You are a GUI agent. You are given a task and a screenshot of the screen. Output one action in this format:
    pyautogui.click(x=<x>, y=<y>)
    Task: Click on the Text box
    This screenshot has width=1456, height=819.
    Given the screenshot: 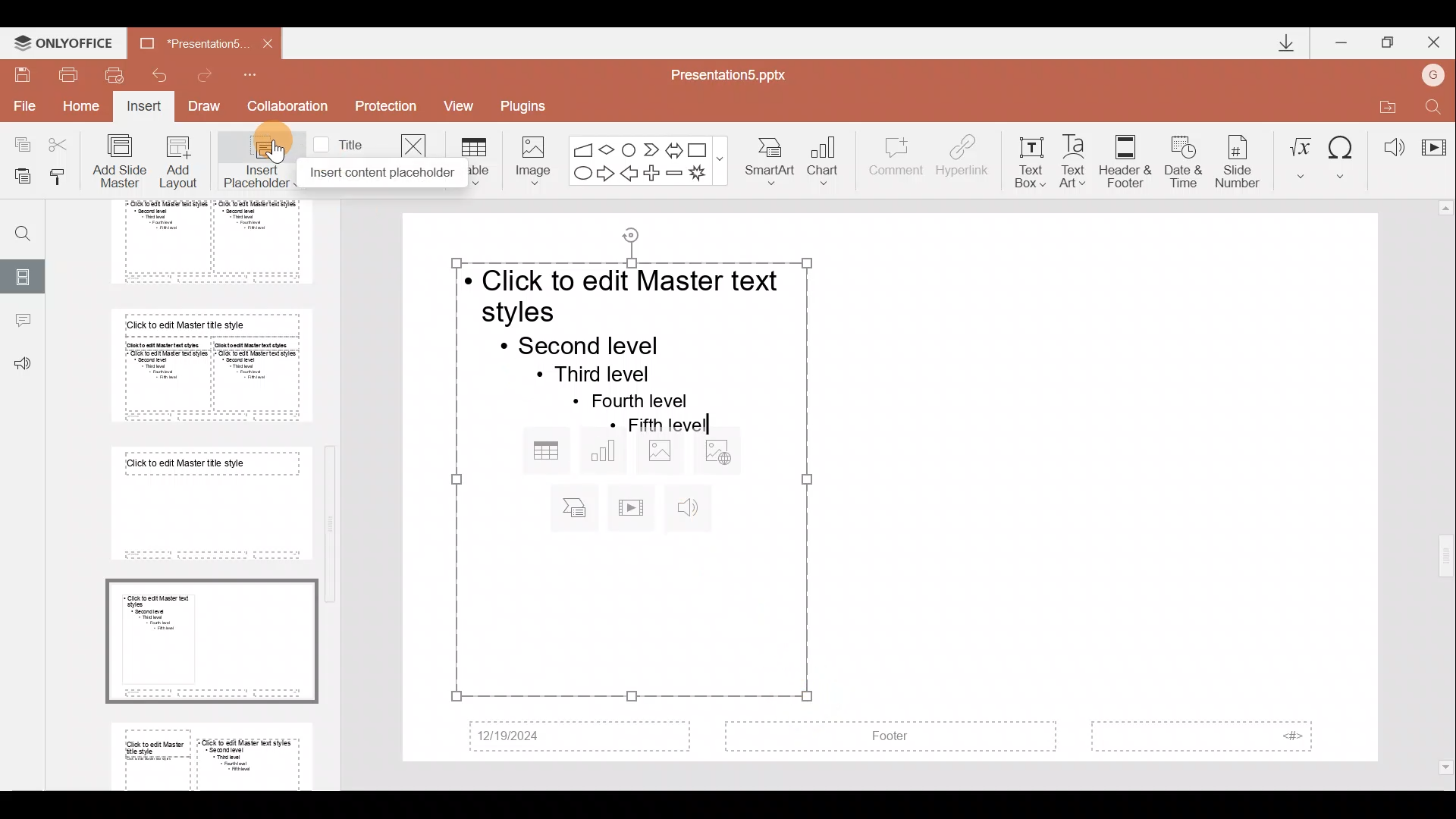 What is the action you would take?
    pyautogui.click(x=1030, y=158)
    